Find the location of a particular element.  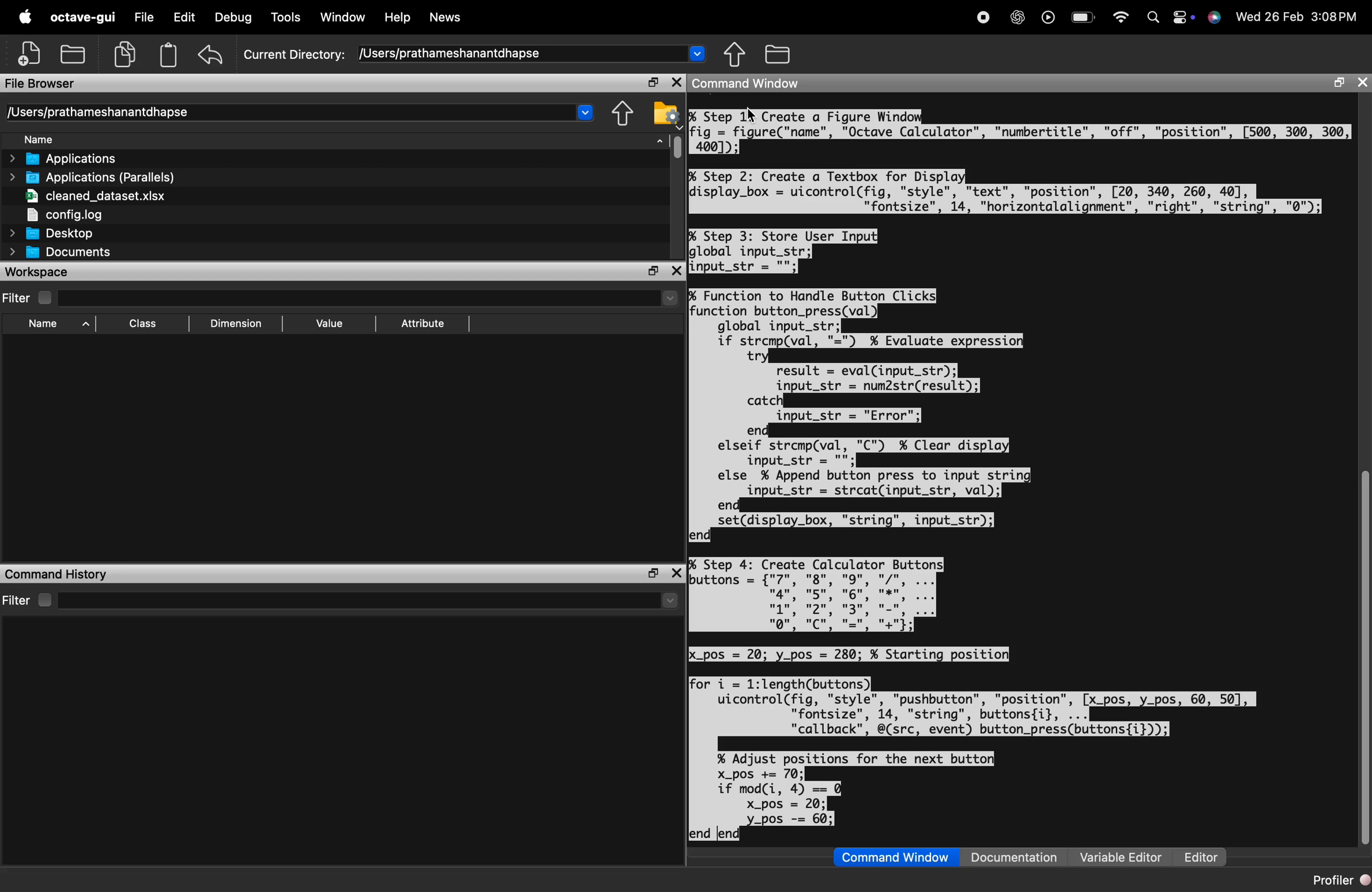

Browse directories is located at coordinates (733, 54).